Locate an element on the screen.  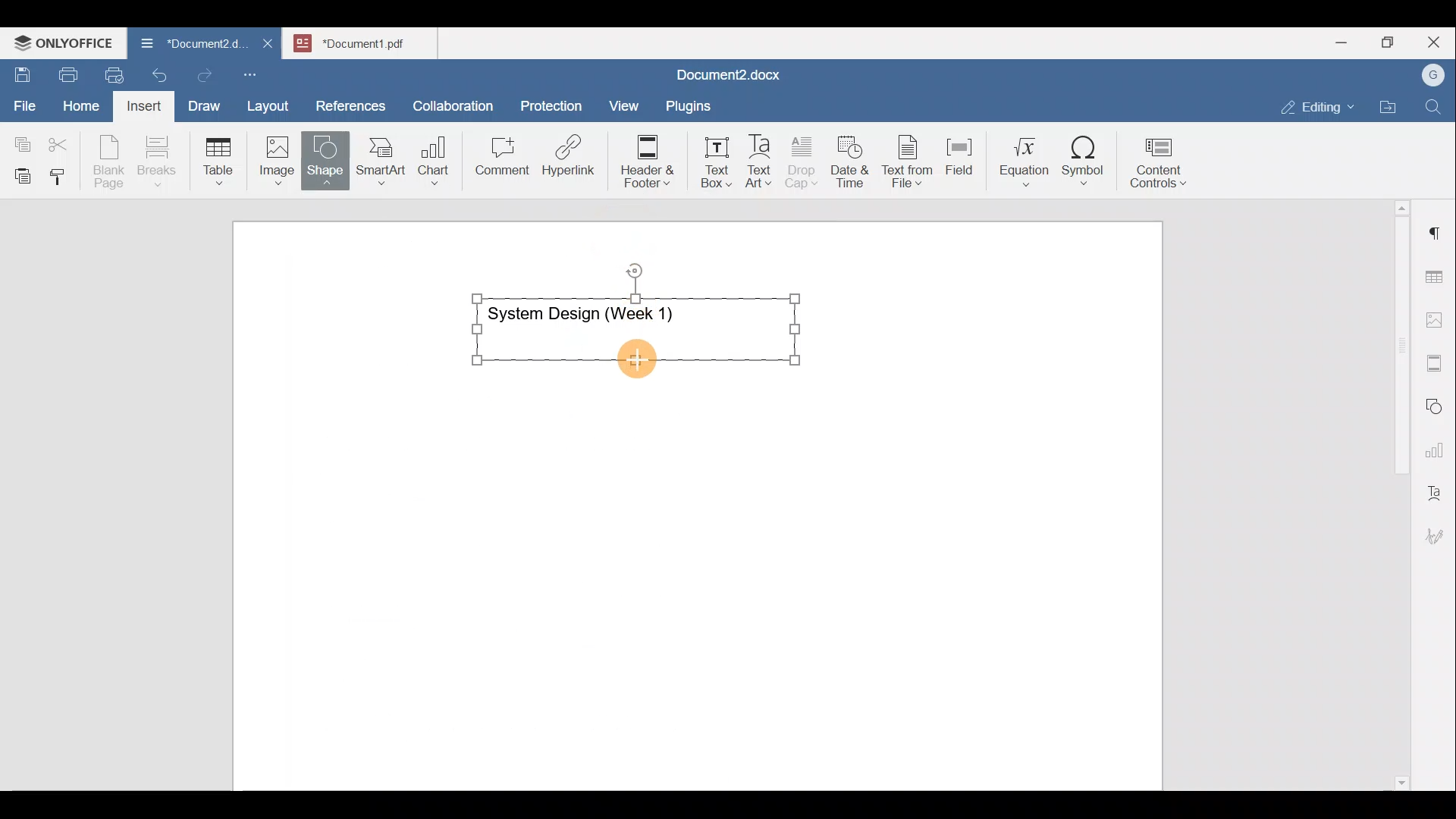
Equation is located at coordinates (1028, 161).